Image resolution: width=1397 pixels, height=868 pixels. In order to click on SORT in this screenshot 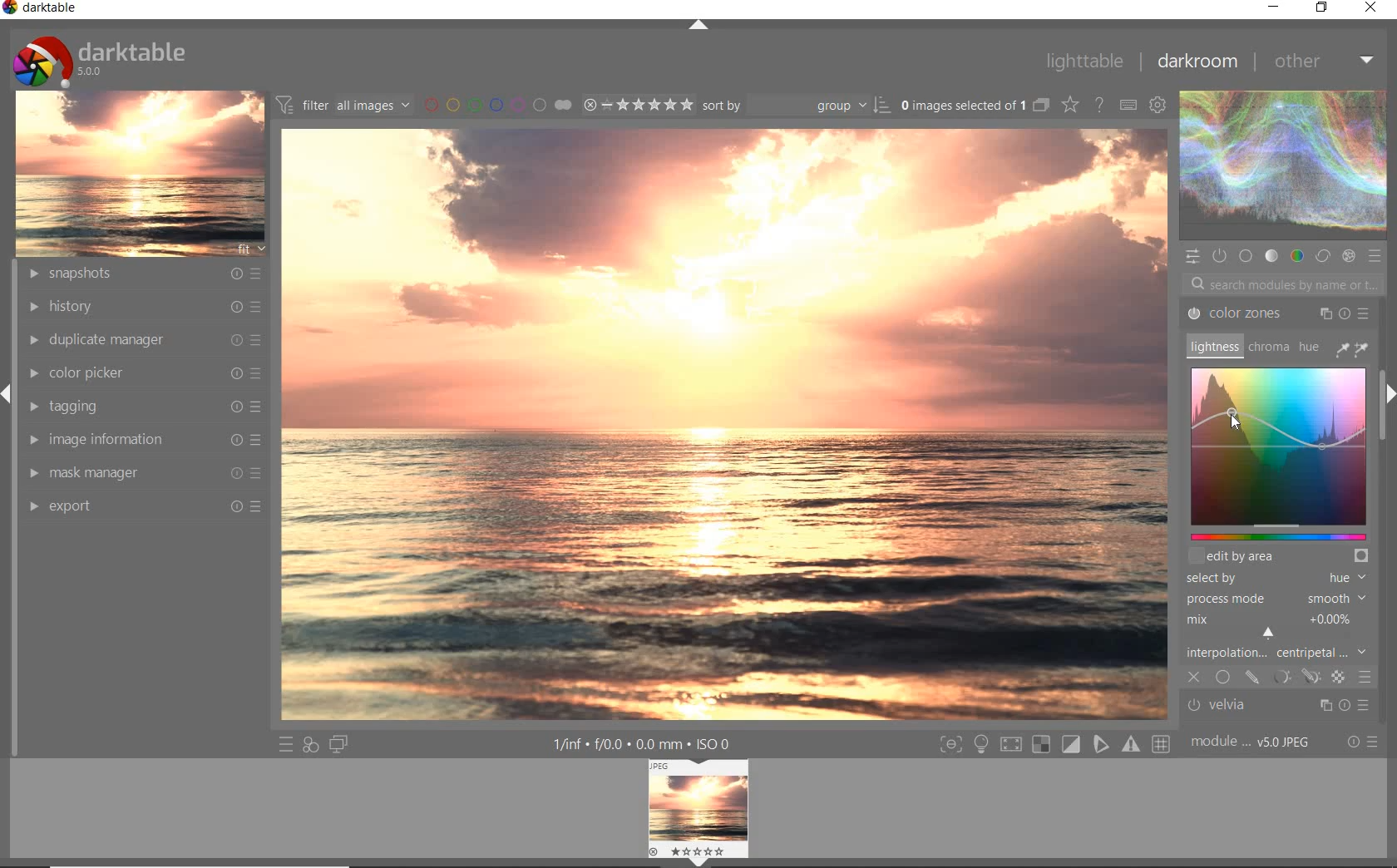, I will do `click(795, 106)`.